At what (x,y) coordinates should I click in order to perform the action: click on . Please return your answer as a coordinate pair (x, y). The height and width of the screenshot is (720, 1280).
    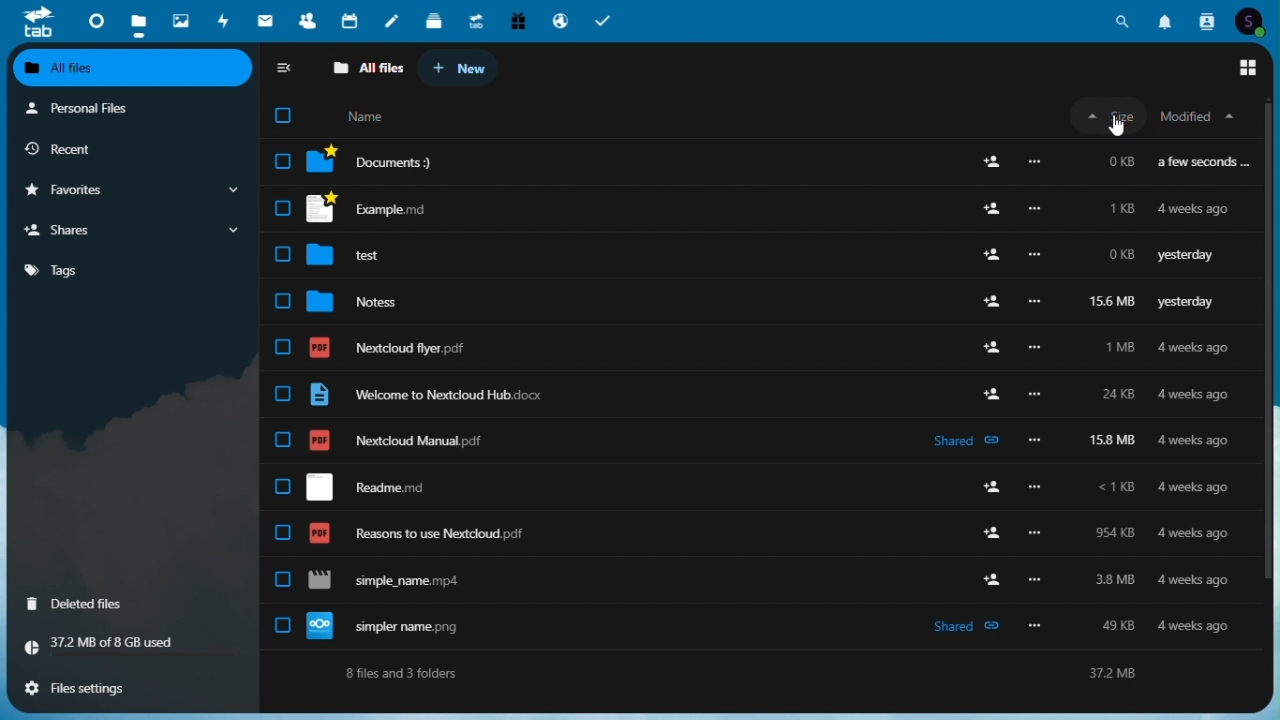
    Looking at the image, I should click on (1166, 17).